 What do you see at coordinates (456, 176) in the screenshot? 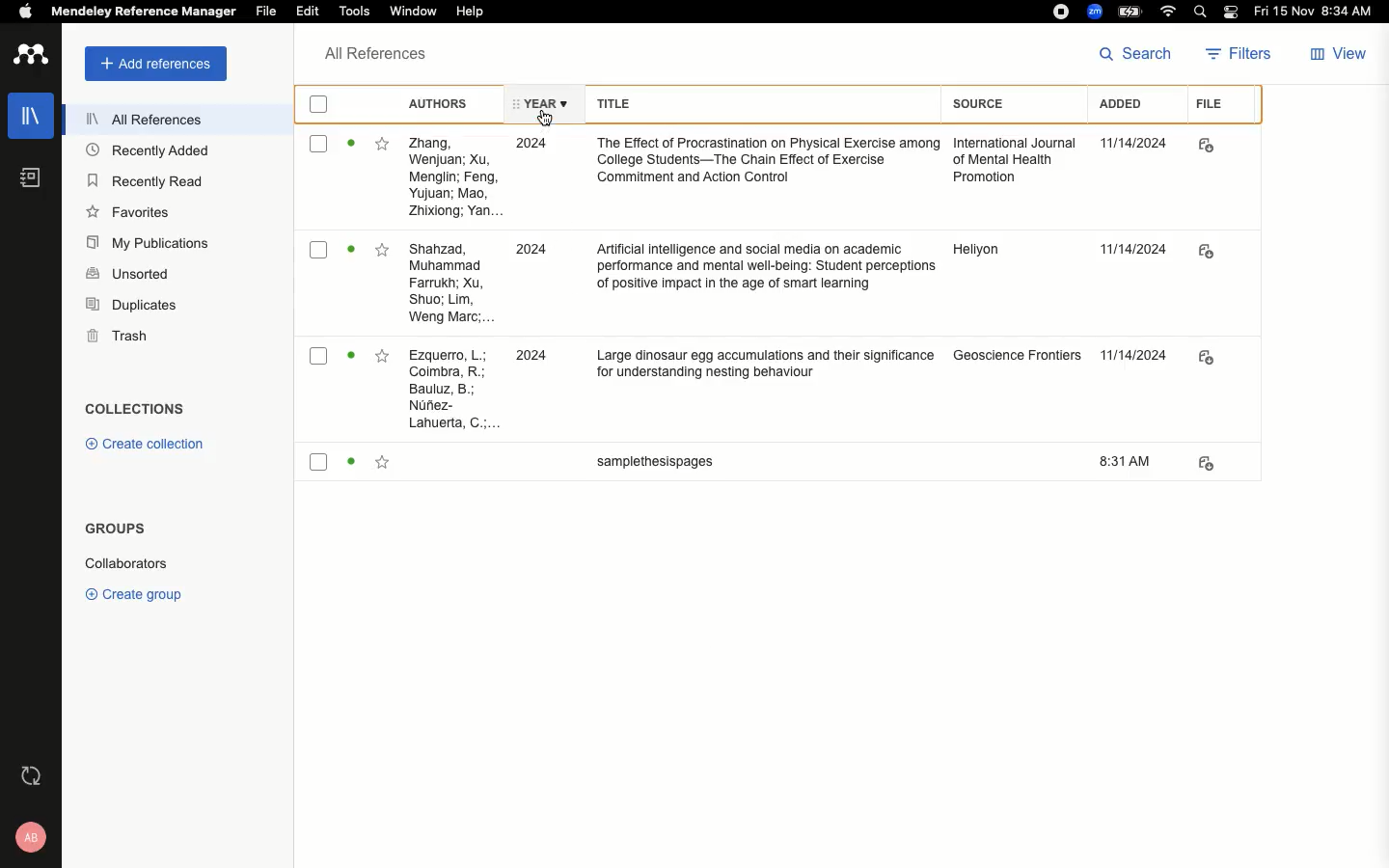
I see `authors name` at bounding box center [456, 176].